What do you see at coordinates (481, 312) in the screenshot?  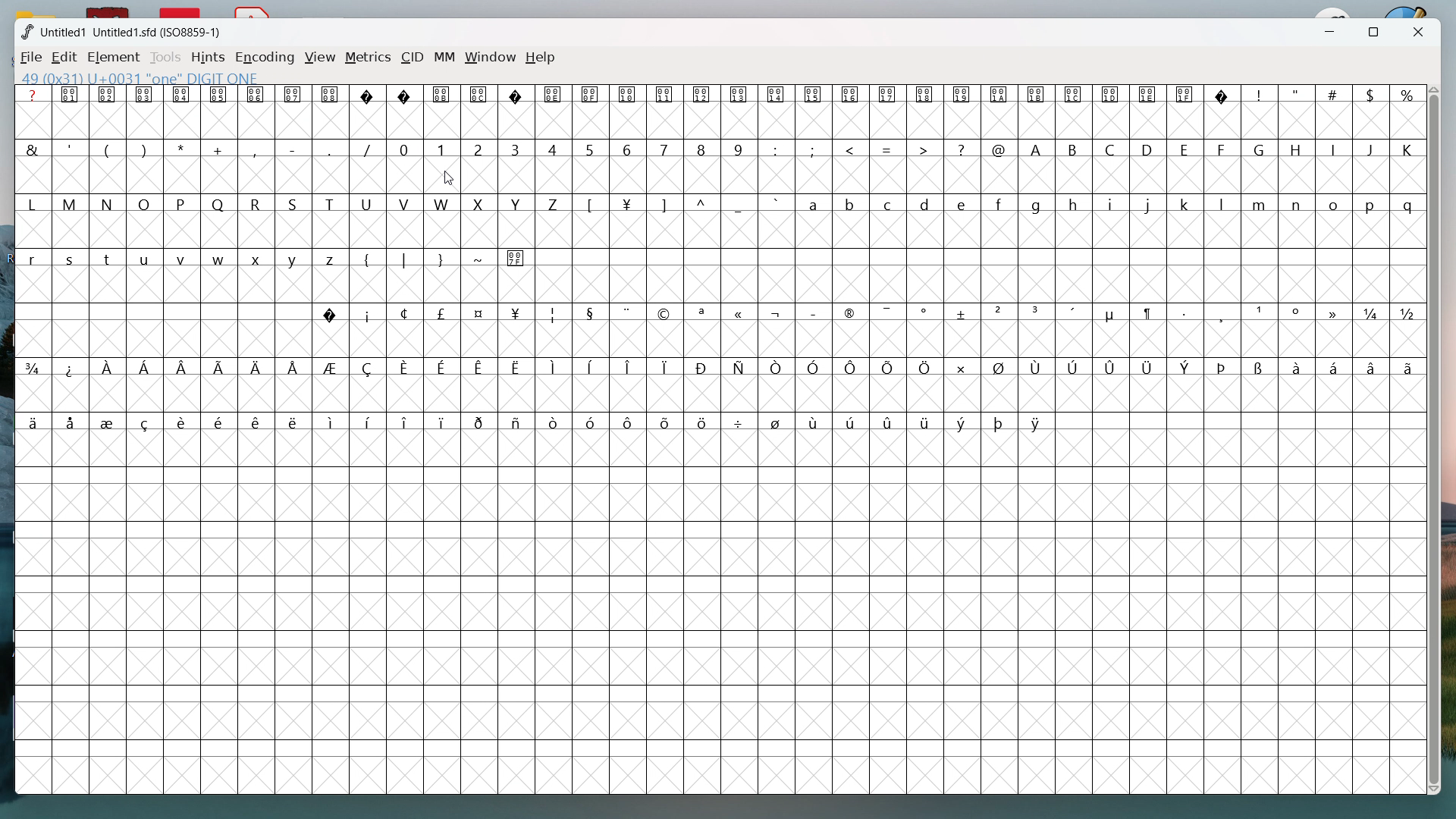 I see `symbol` at bounding box center [481, 312].